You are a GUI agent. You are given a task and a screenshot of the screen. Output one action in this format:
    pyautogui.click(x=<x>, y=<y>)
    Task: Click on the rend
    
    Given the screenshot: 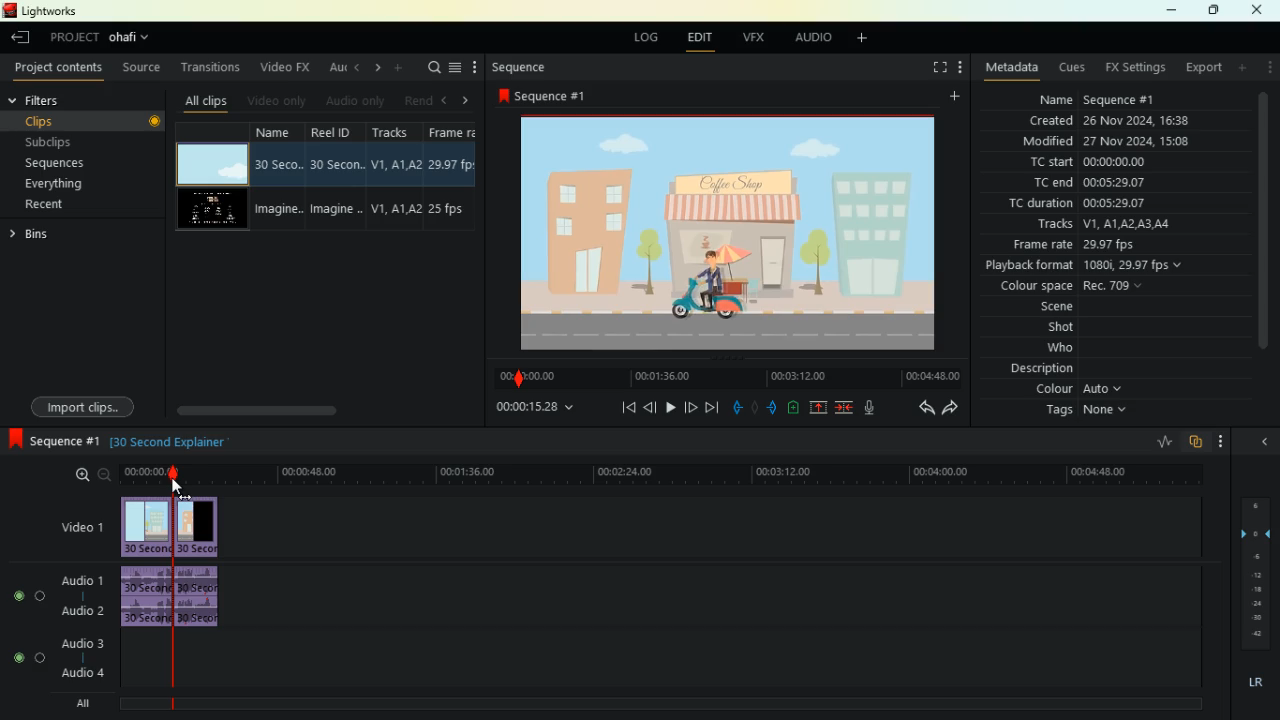 What is the action you would take?
    pyautogui.click(x=418, y=102)
    